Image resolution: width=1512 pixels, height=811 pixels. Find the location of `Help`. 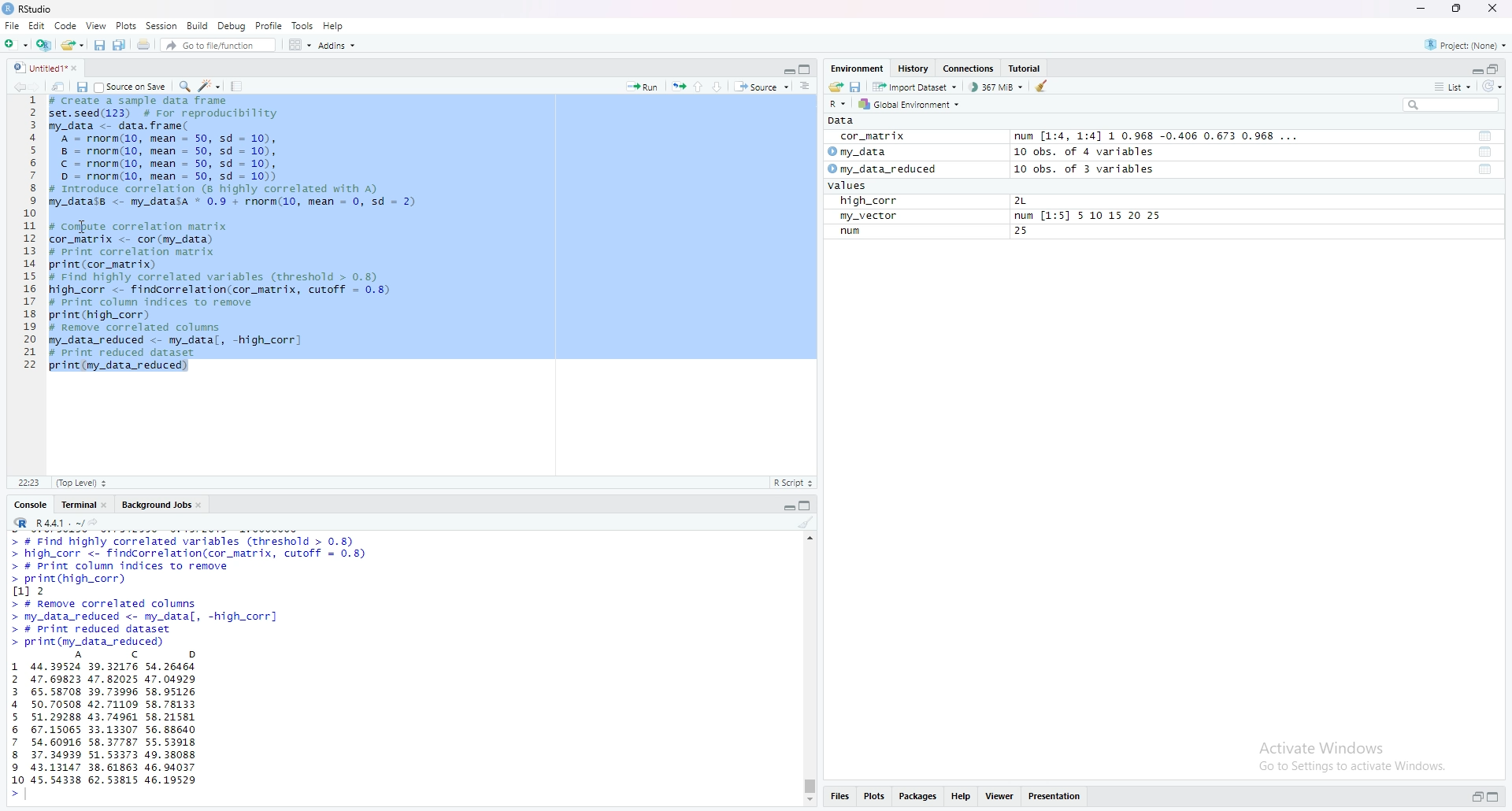

Help is located at coordinates (335, 26).